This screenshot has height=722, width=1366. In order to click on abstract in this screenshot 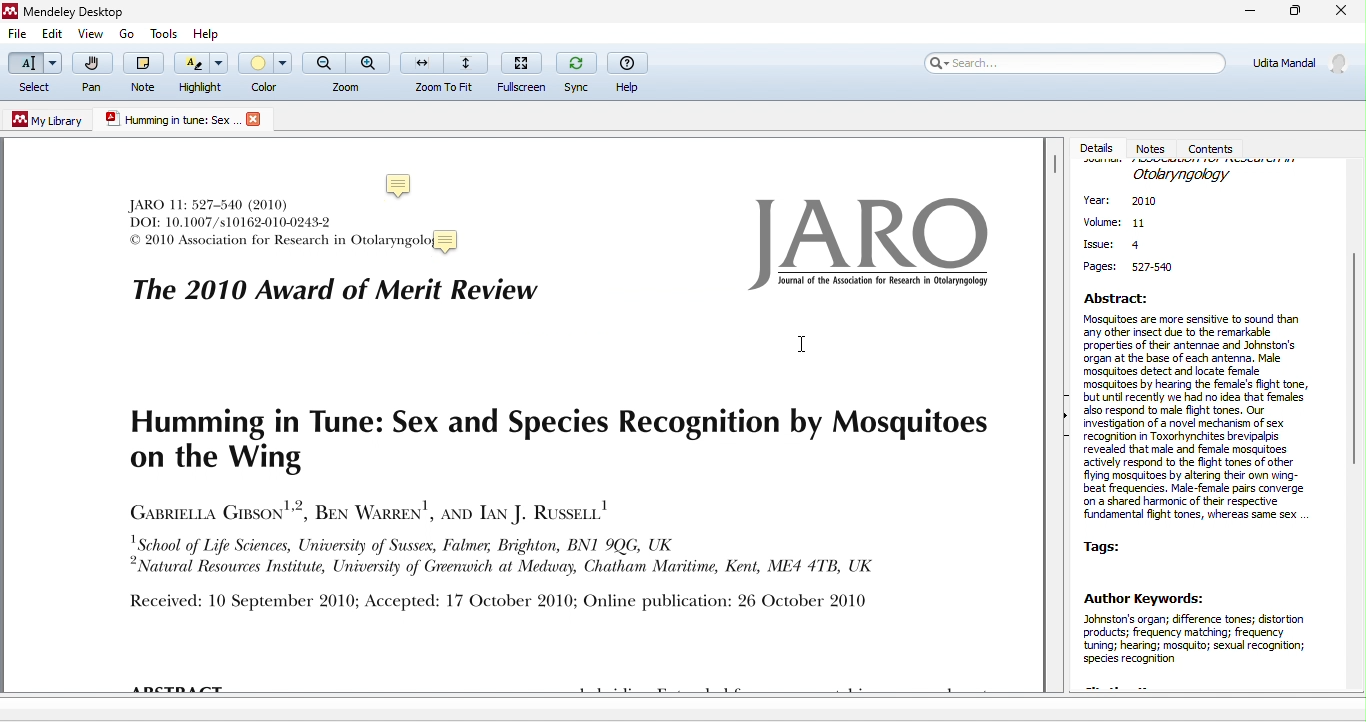, I will do `click(1201, 408)`.